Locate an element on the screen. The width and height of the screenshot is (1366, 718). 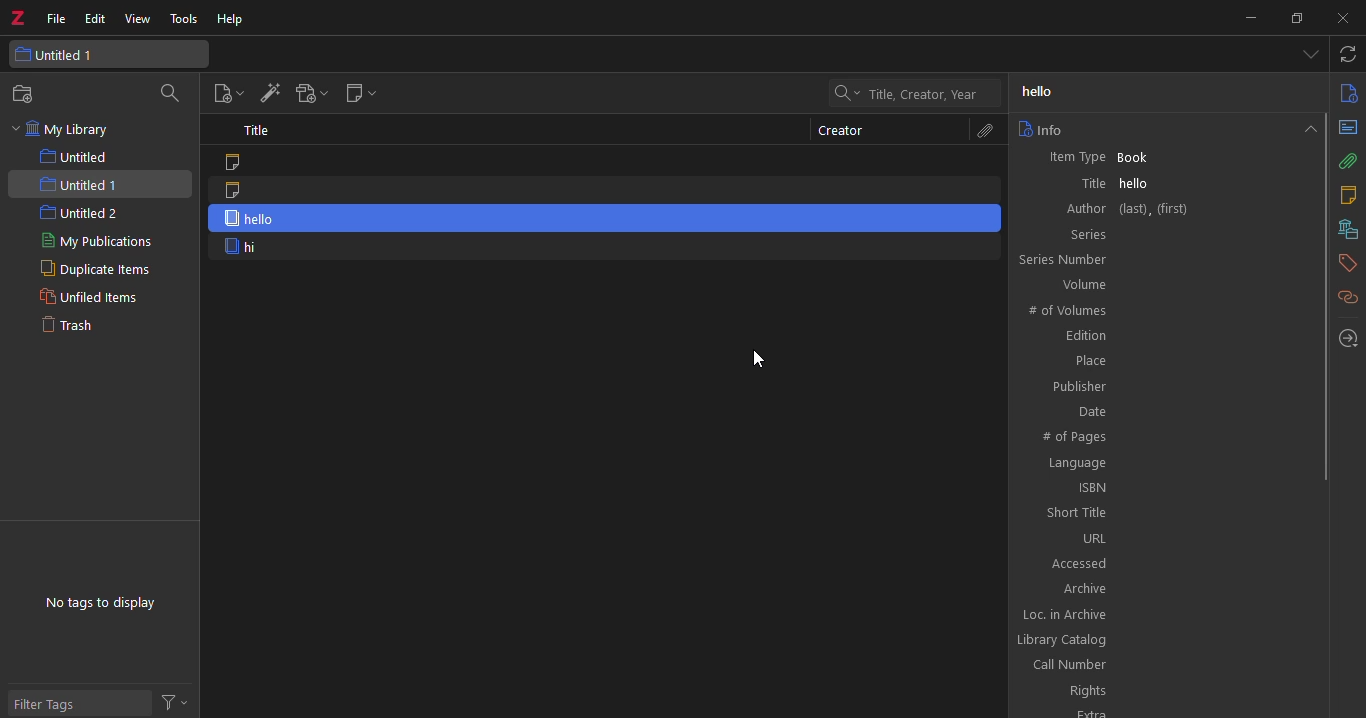
# of volumes is located at coordinates (1163, 309).